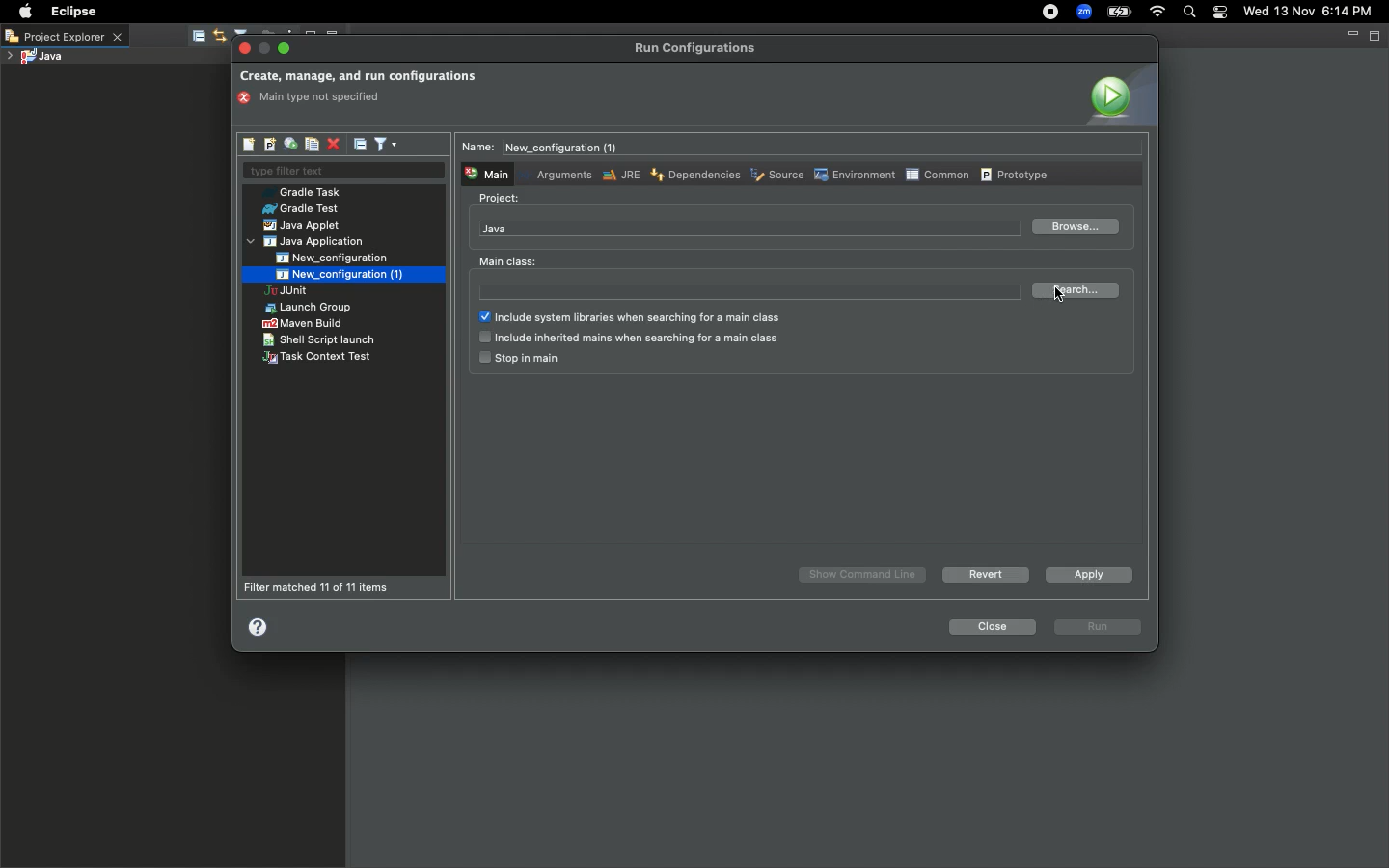 Image resolution: width=1389 pixels, height=868 pixels. I want to click on Java application, so click(308, 242).